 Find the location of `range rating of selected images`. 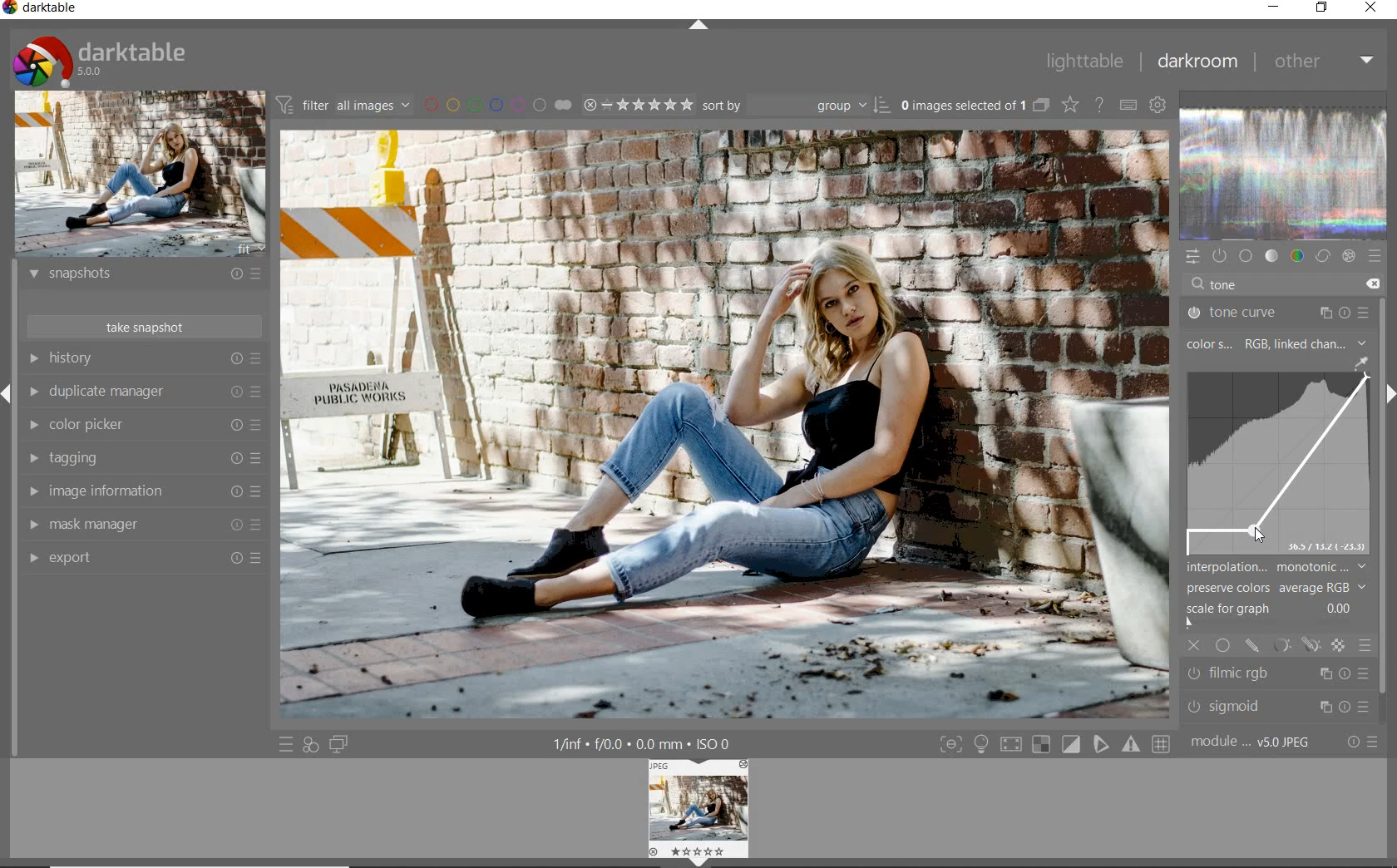

range rating of selected images is located at coordinates (637, 106).